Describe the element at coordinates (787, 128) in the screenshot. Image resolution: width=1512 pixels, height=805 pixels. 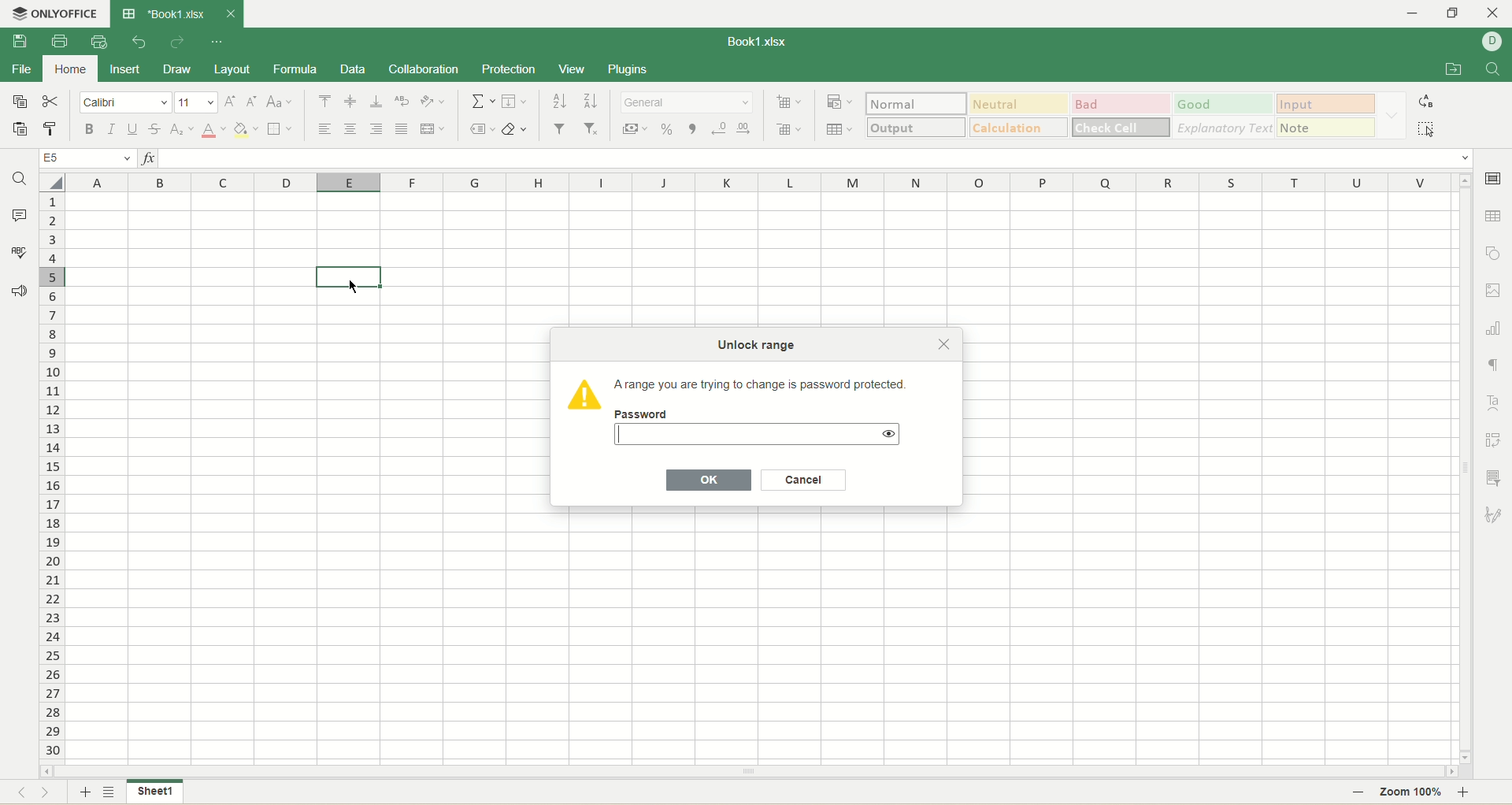
I see `remove cell` at that location.